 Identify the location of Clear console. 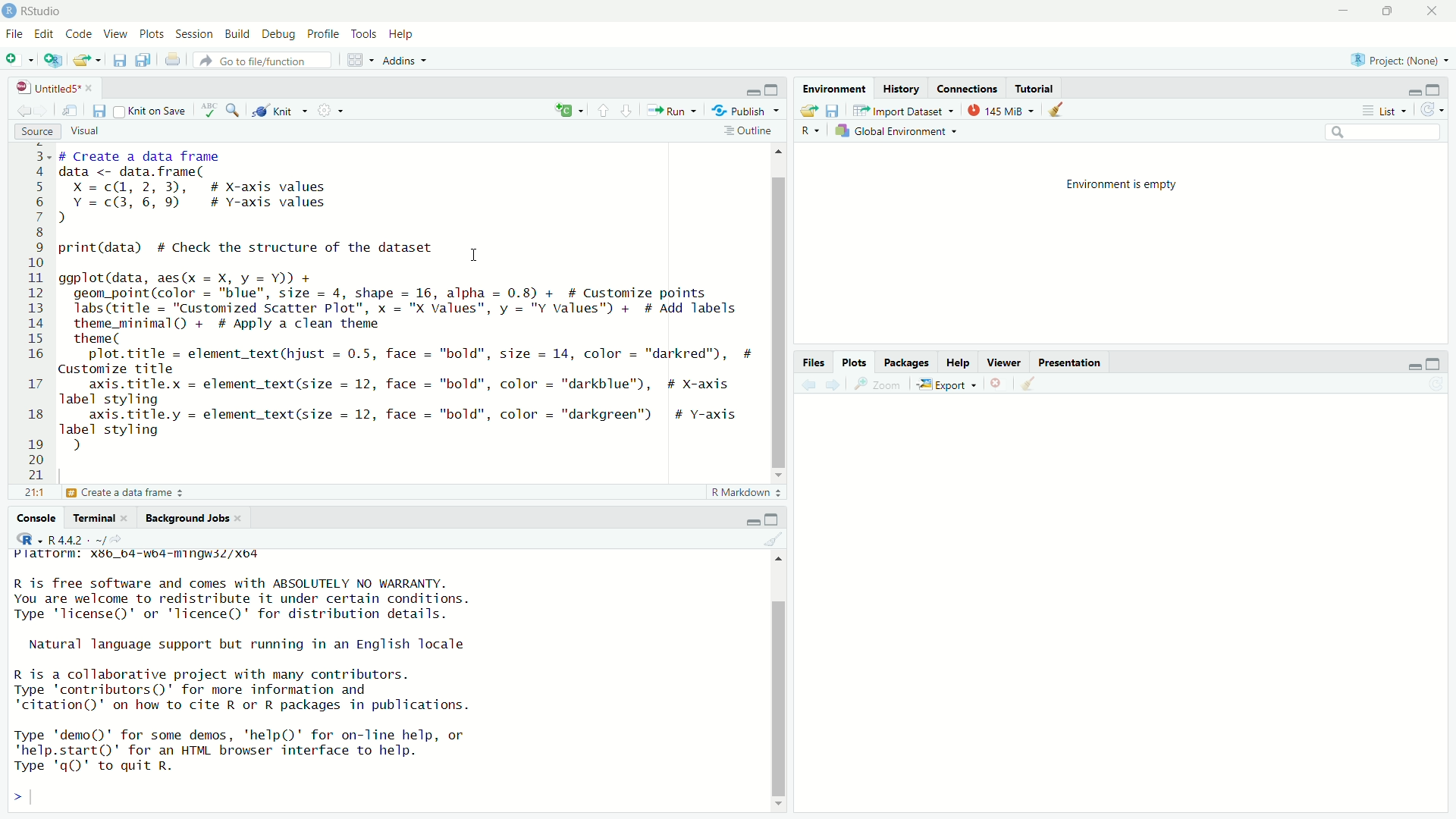
(773, 538).